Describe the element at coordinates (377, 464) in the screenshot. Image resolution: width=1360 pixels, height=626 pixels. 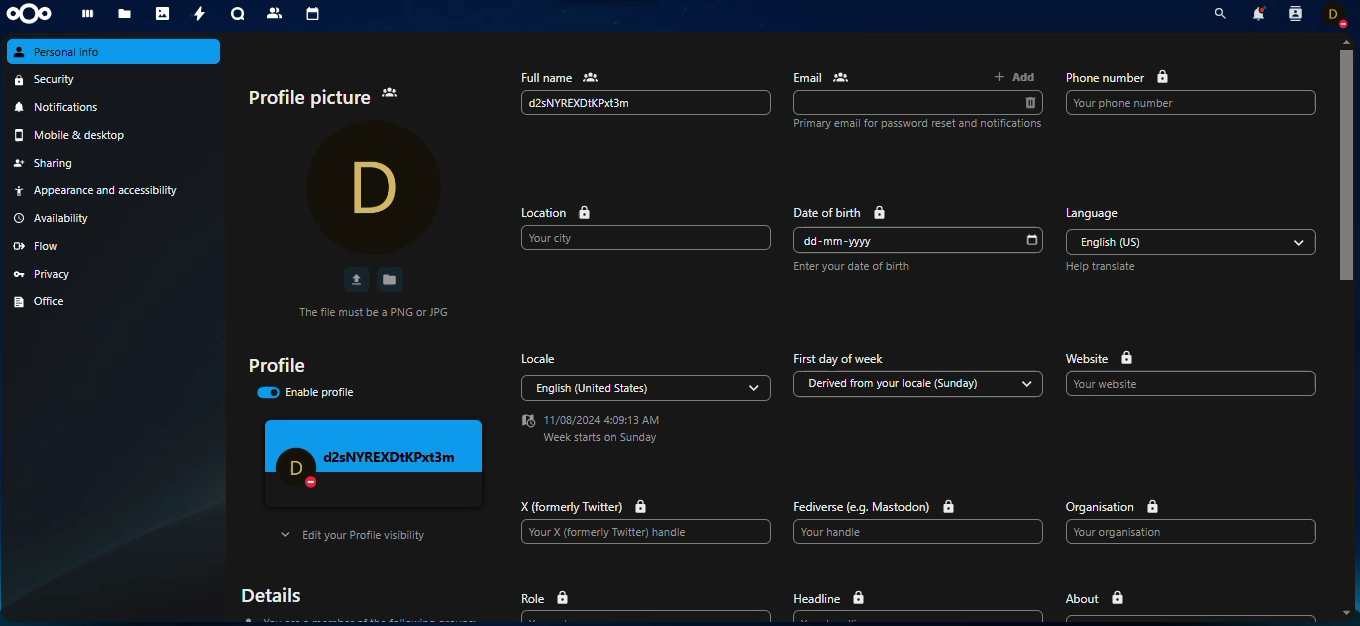
I see `profile preview` at that location.